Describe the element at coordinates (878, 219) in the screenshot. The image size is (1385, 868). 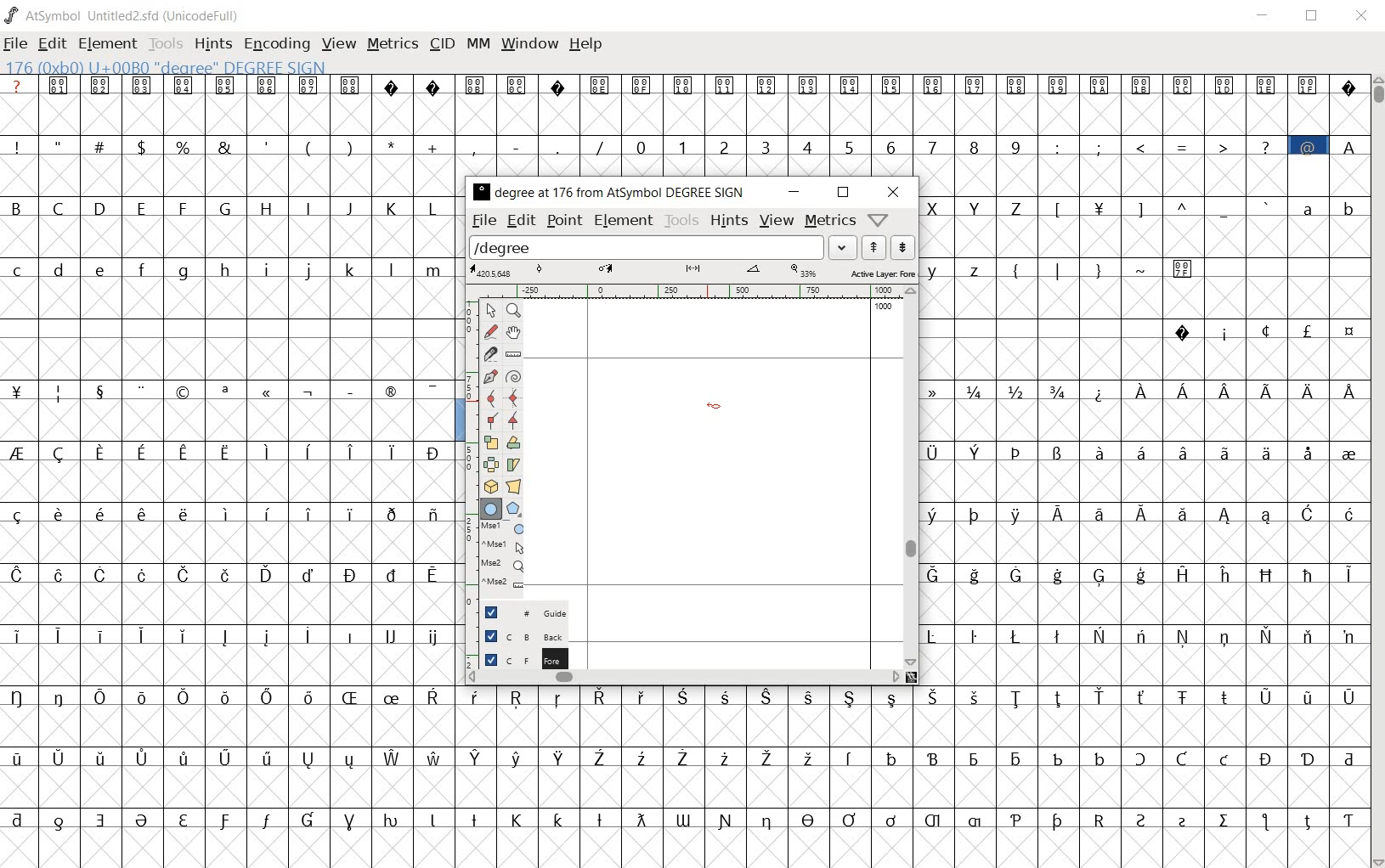
I see `help/window` at that location.